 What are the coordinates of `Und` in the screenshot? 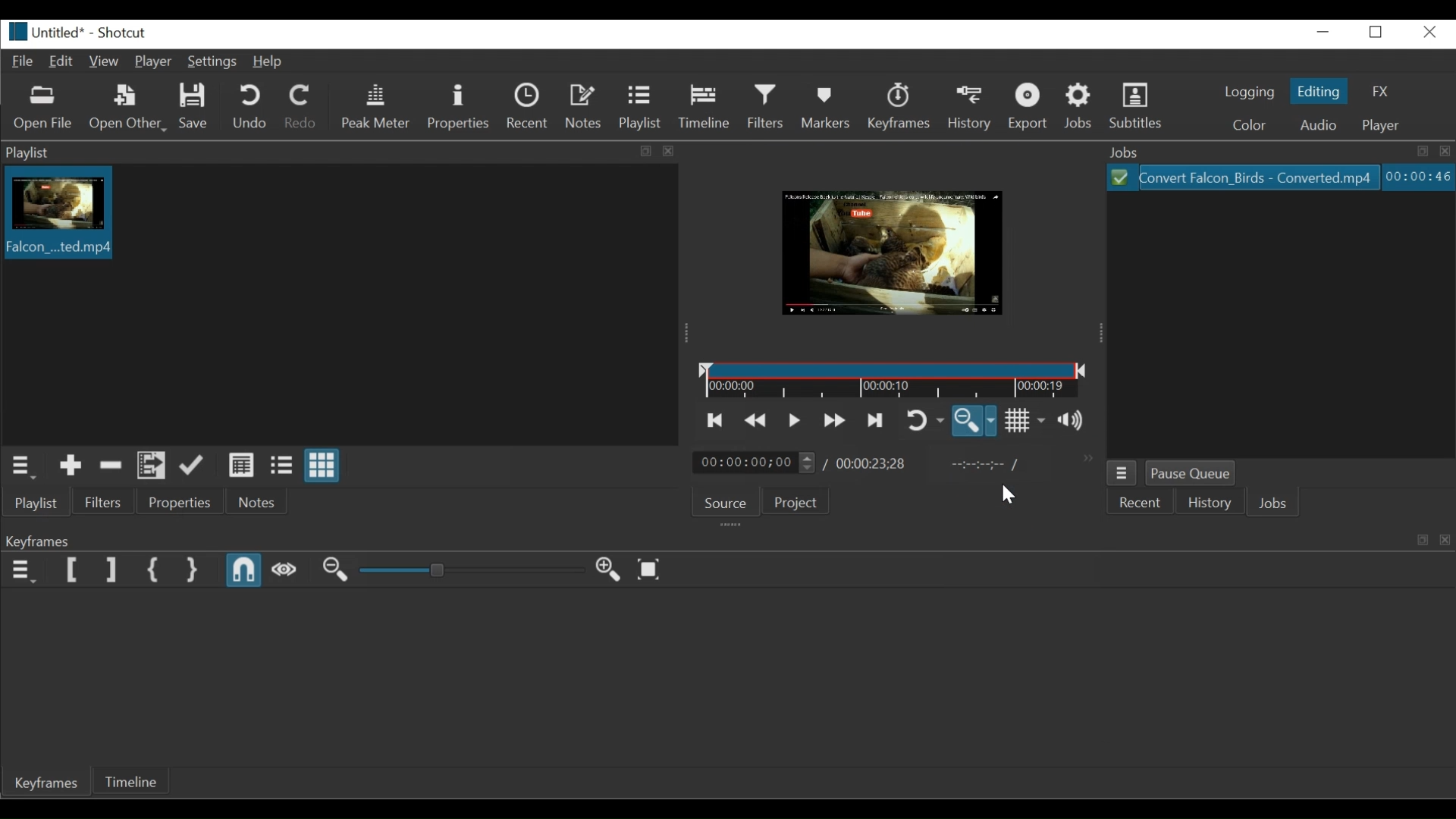 It's located at (249, 107).